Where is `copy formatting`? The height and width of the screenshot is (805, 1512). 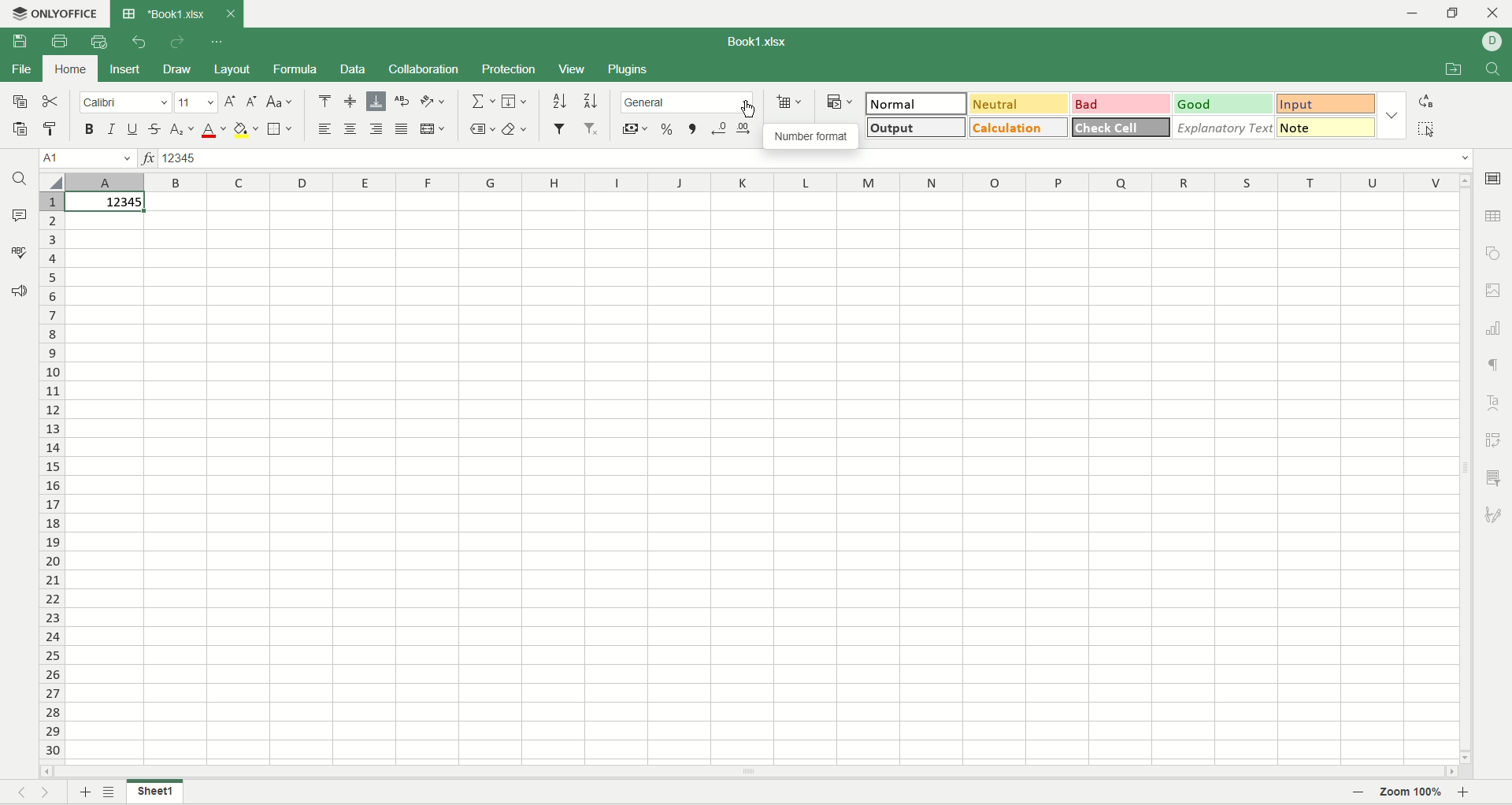 copy formatting is located at coordinates (49, 128).